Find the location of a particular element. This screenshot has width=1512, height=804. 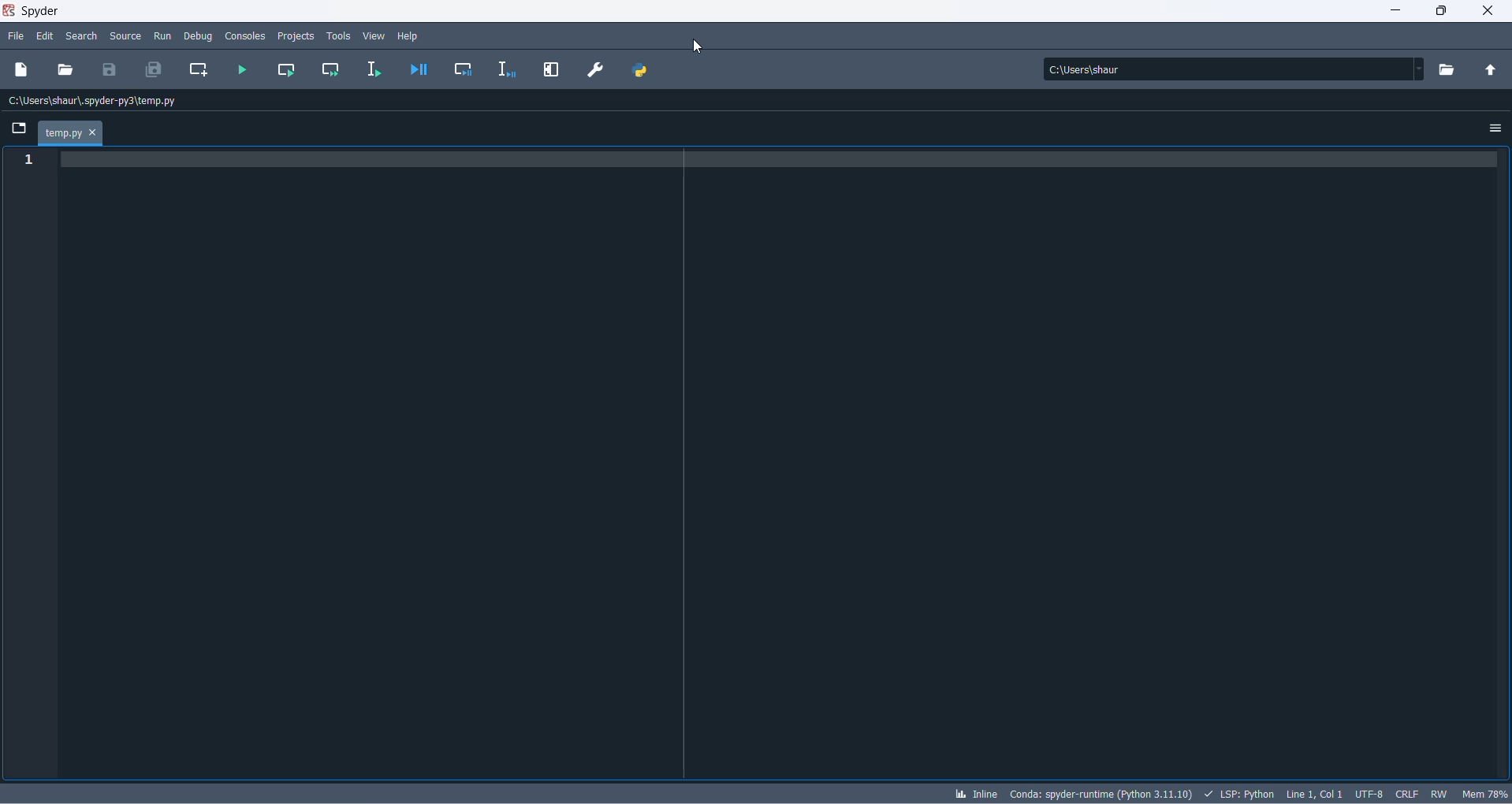

save is located at coordinates (110, 69).